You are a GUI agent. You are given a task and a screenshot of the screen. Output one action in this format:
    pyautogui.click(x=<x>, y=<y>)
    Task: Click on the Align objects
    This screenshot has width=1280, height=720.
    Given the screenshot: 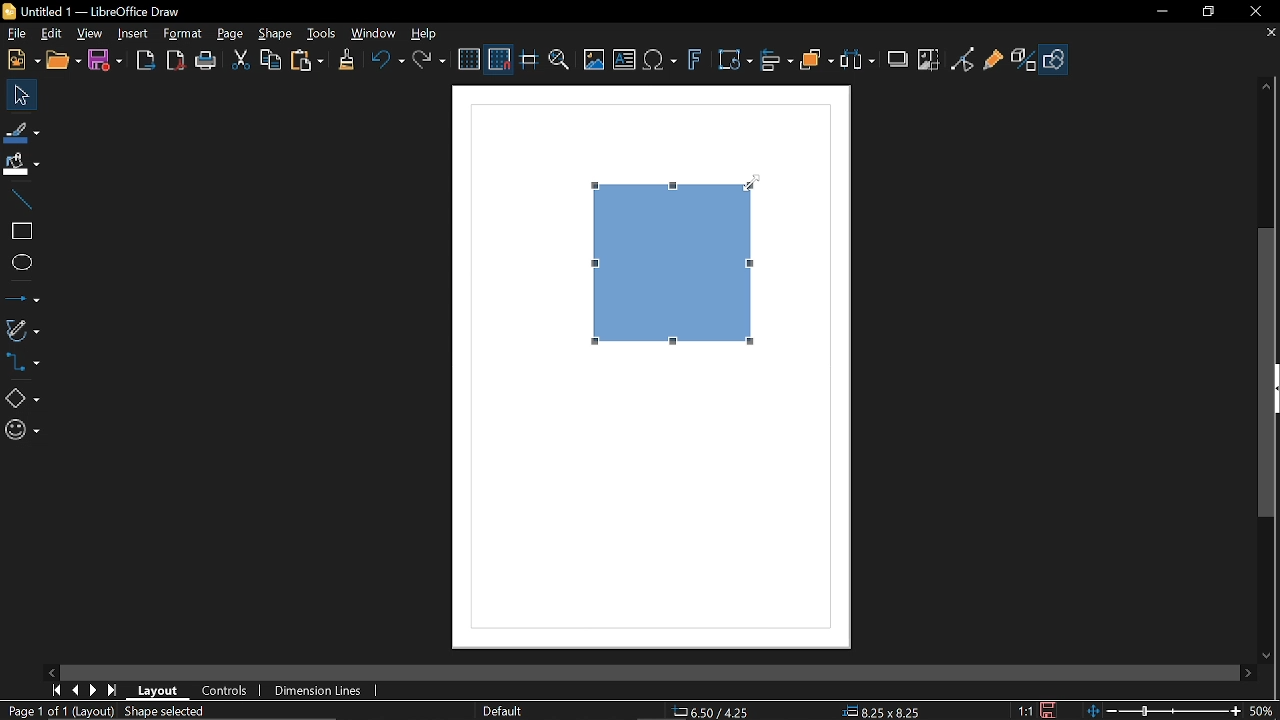 What is the action you would take?
    pyautogui.click(x=777, y=61)
    